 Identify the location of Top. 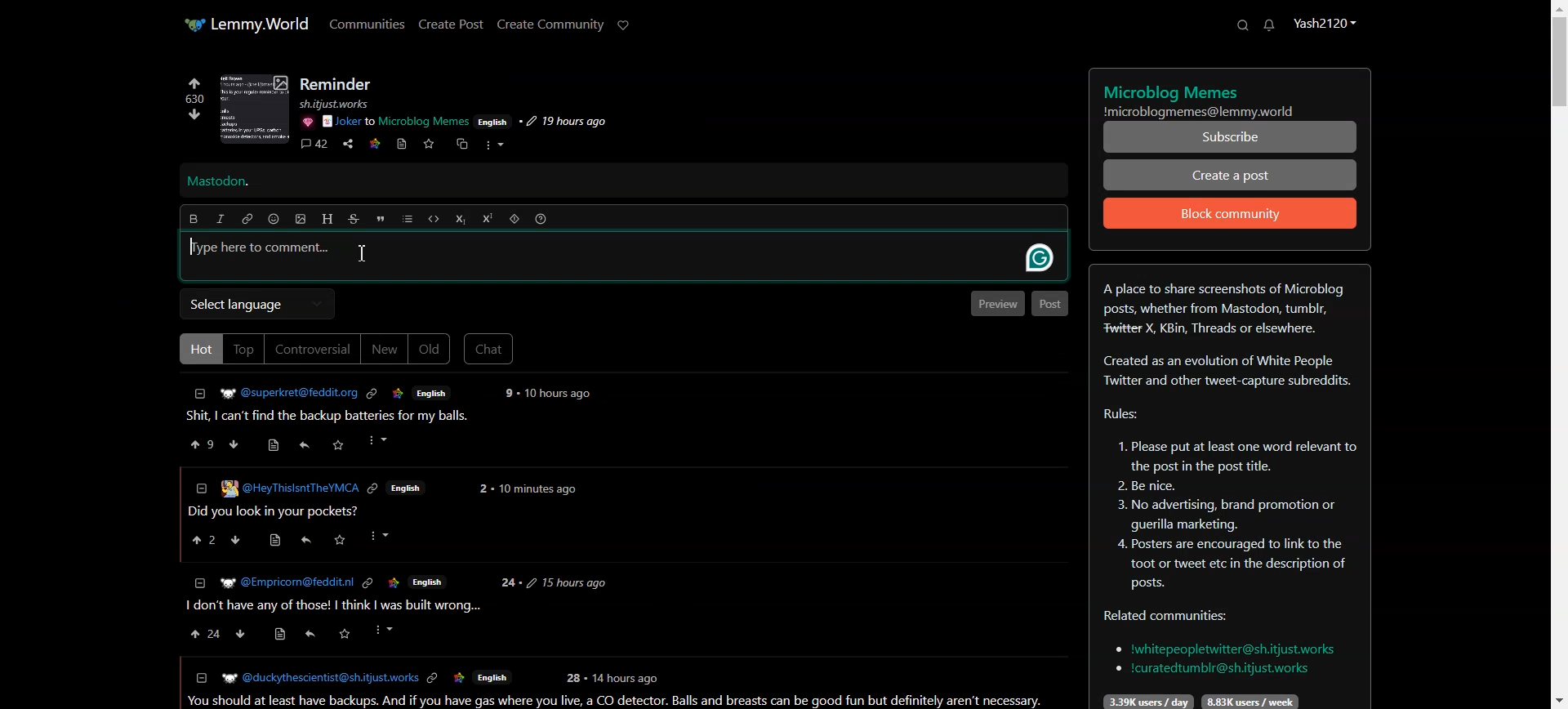
(243, 349).